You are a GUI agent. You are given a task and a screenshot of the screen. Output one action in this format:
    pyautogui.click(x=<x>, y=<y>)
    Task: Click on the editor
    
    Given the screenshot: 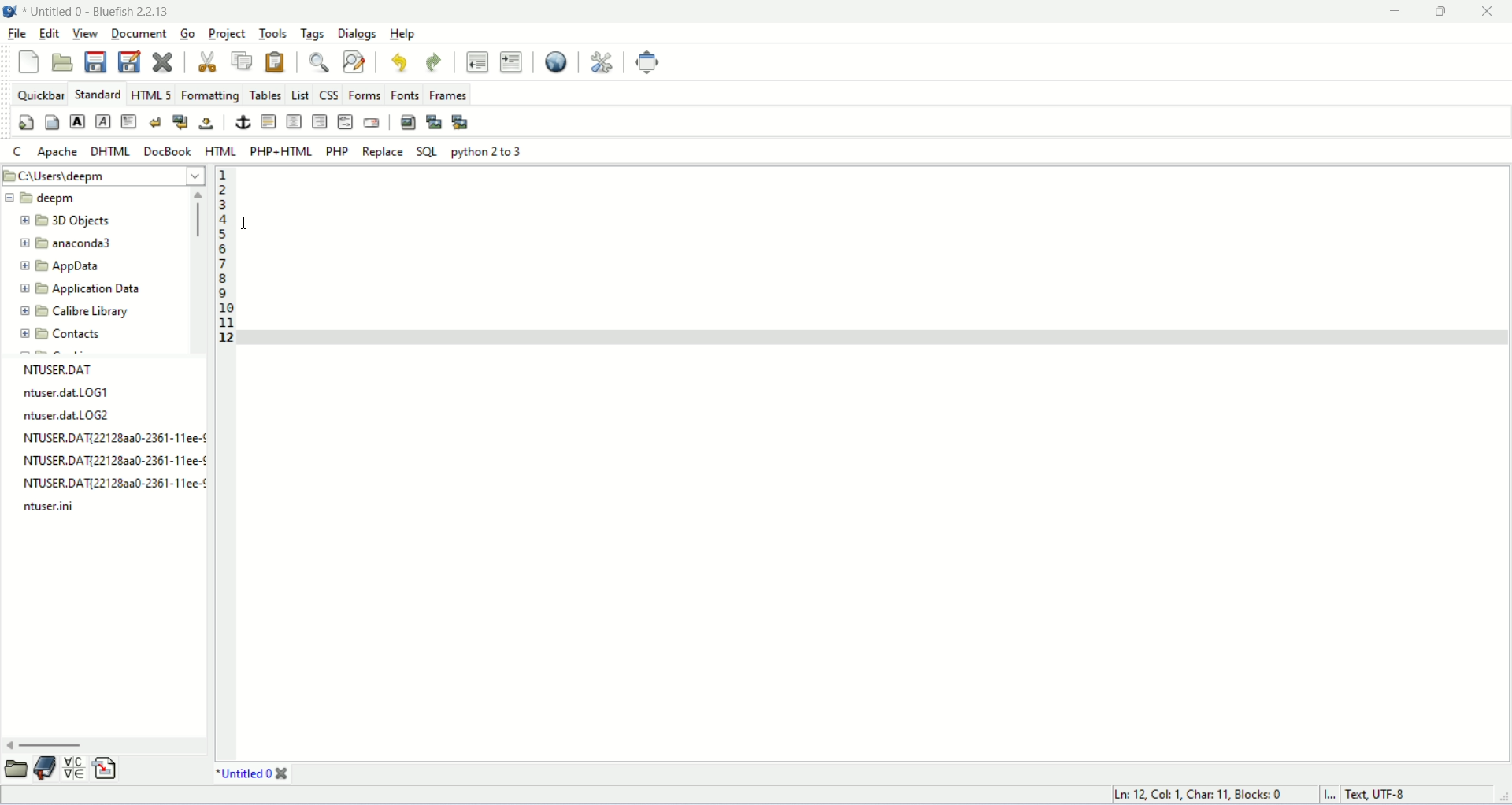 What is the action you would take?
    pyautogui.click(x=876, y=464)
    